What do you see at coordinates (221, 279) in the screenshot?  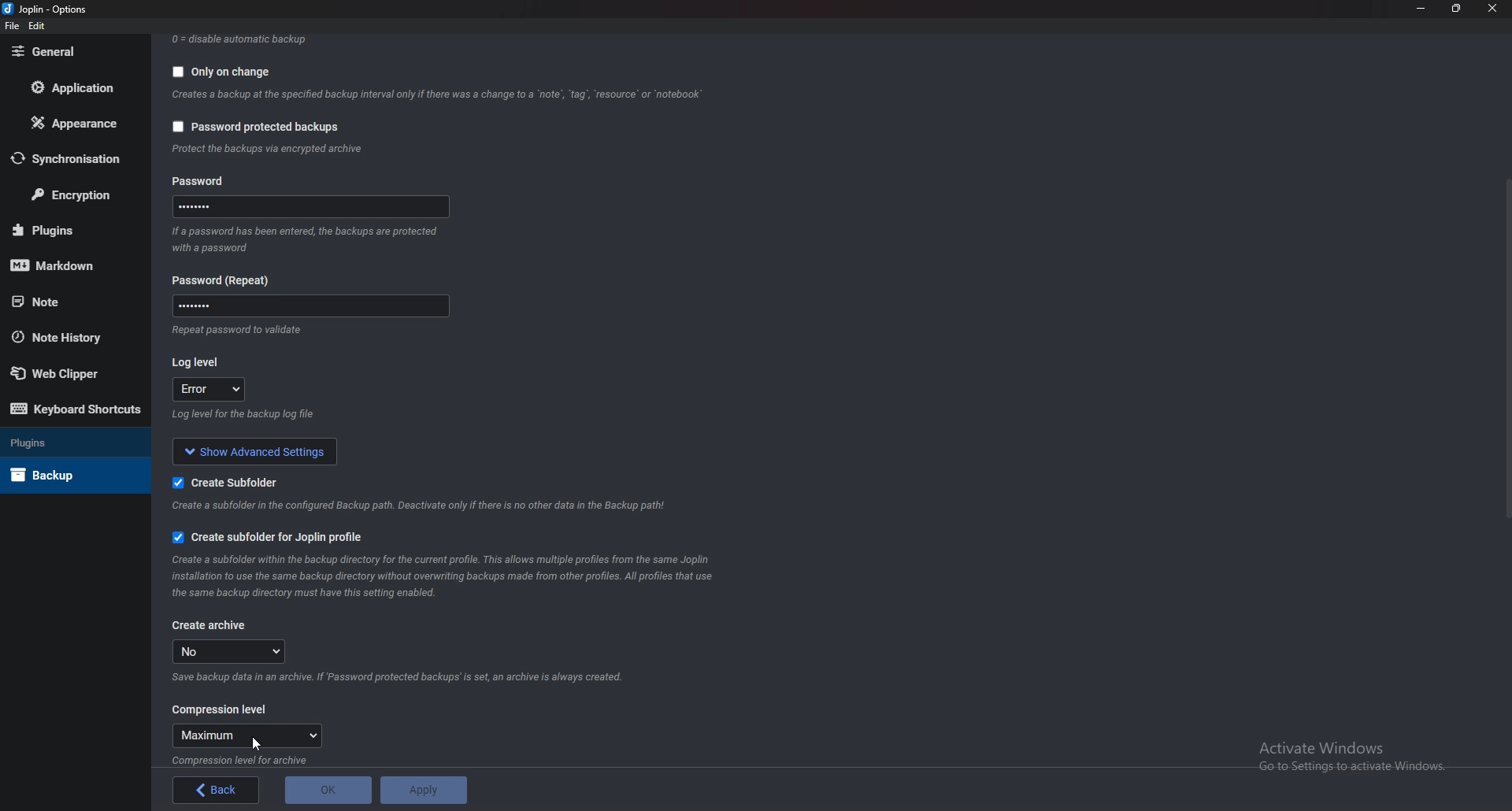 I see `Password` at bounding box center [221, 279].